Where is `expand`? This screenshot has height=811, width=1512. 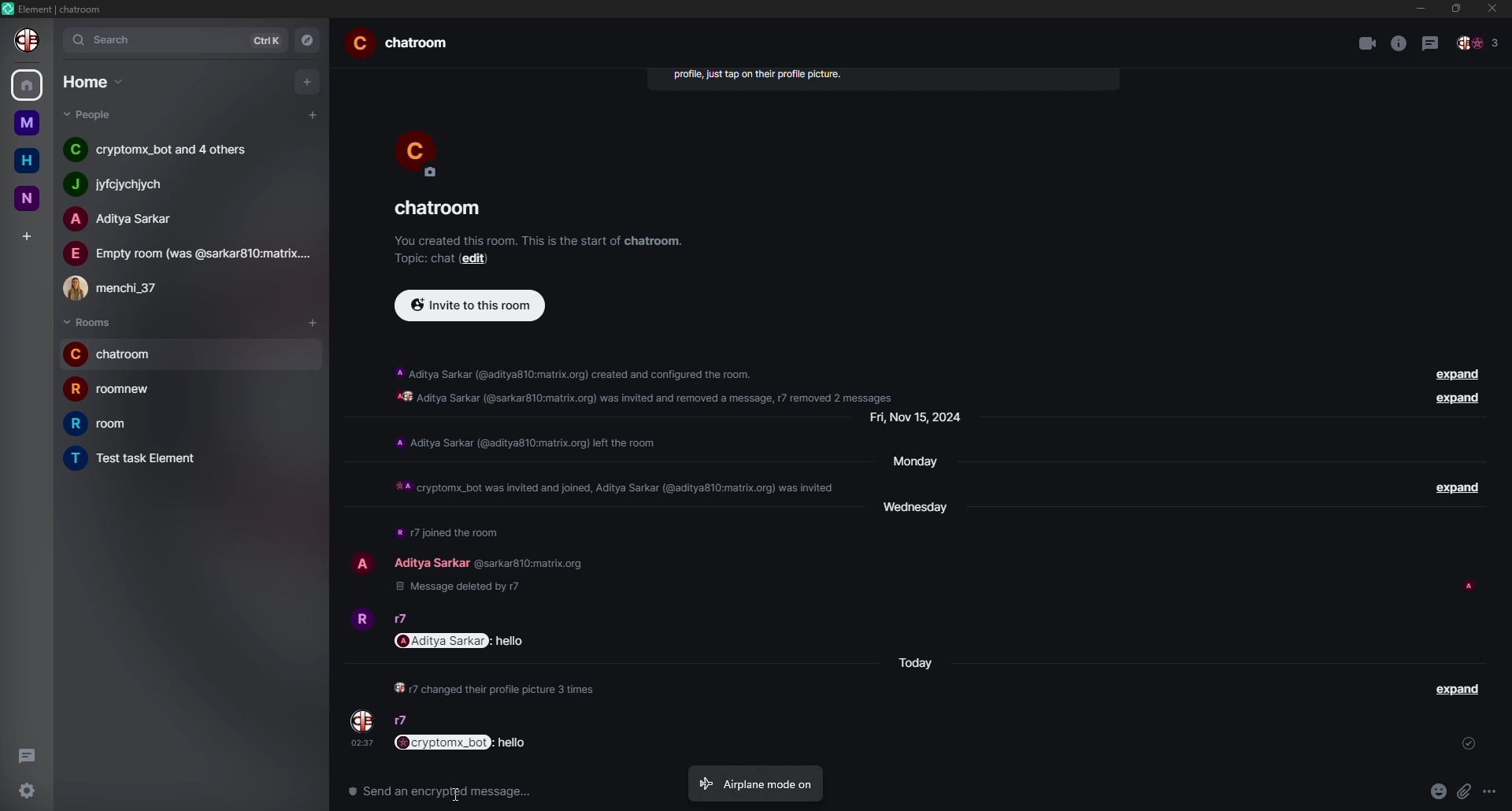 expand is located at coordinates (1458, 374).